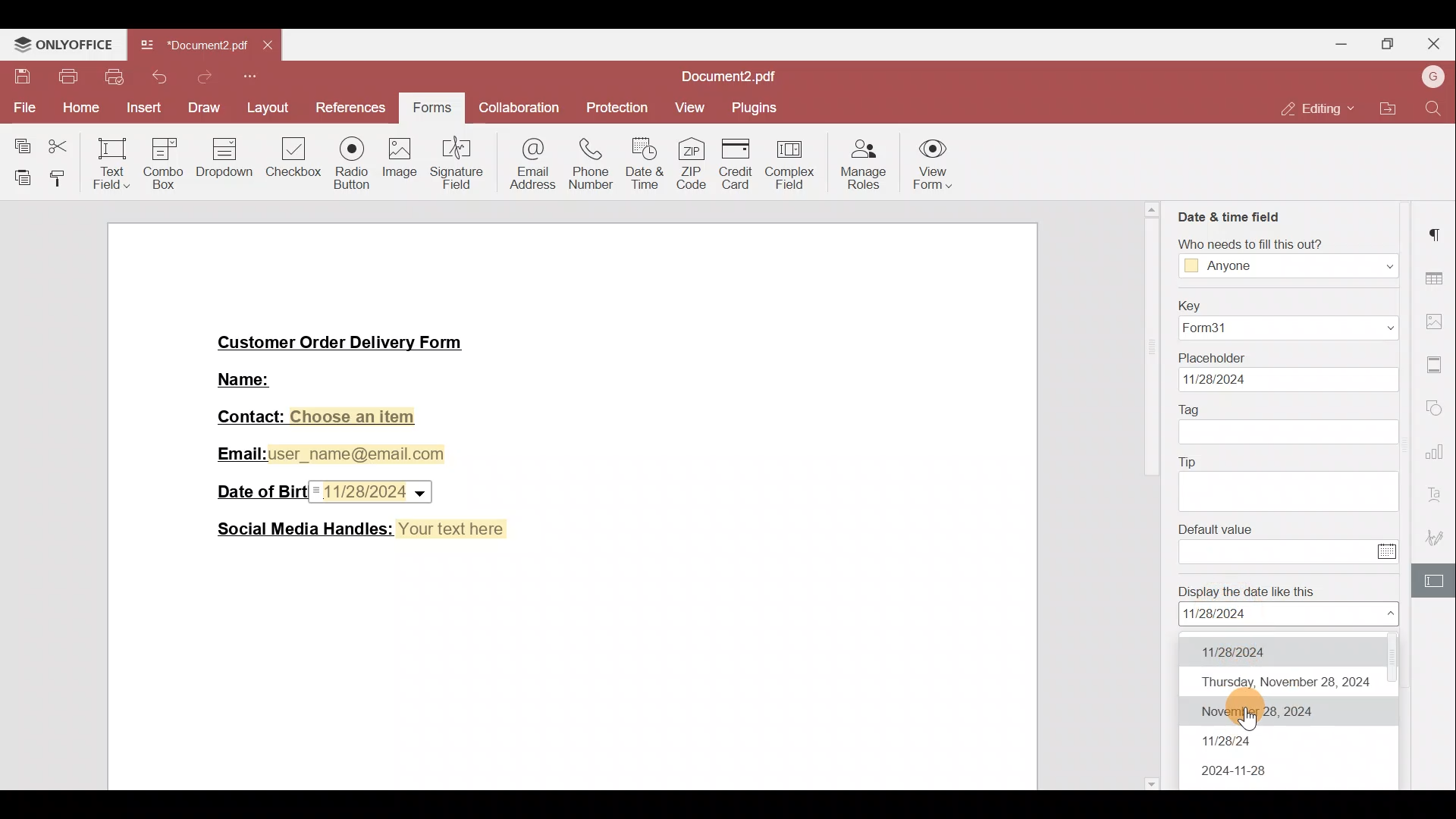  What do you see at coordinates (1267, 650) in the screenshot?
I see `11/28/2024` at bounding box center [1267, 650].